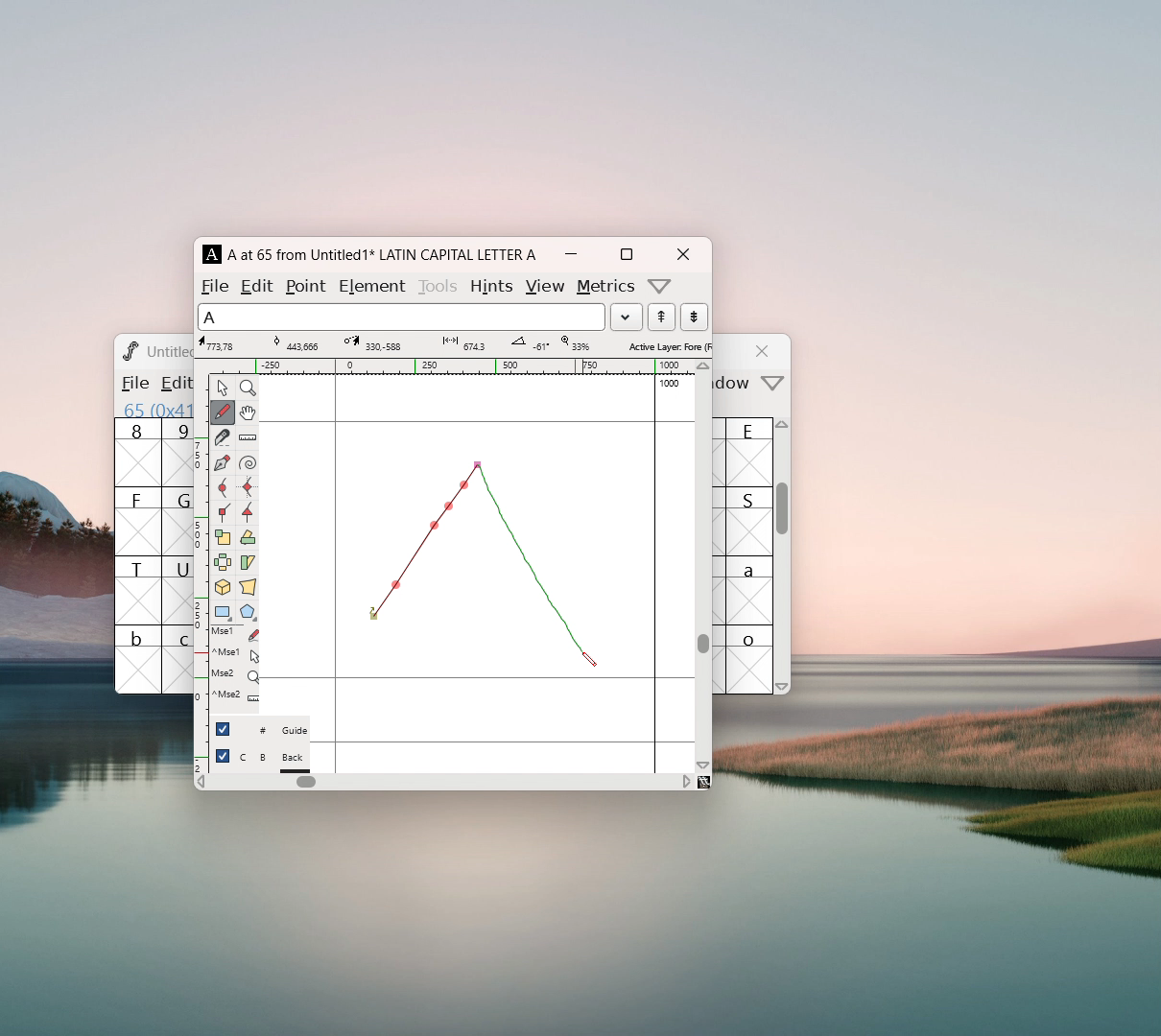 The height and width of the screenshot is (1036, 1161). Describe the element at coordinates (248, 413) in the screenshot. I see `scroll by hand ` at that location.